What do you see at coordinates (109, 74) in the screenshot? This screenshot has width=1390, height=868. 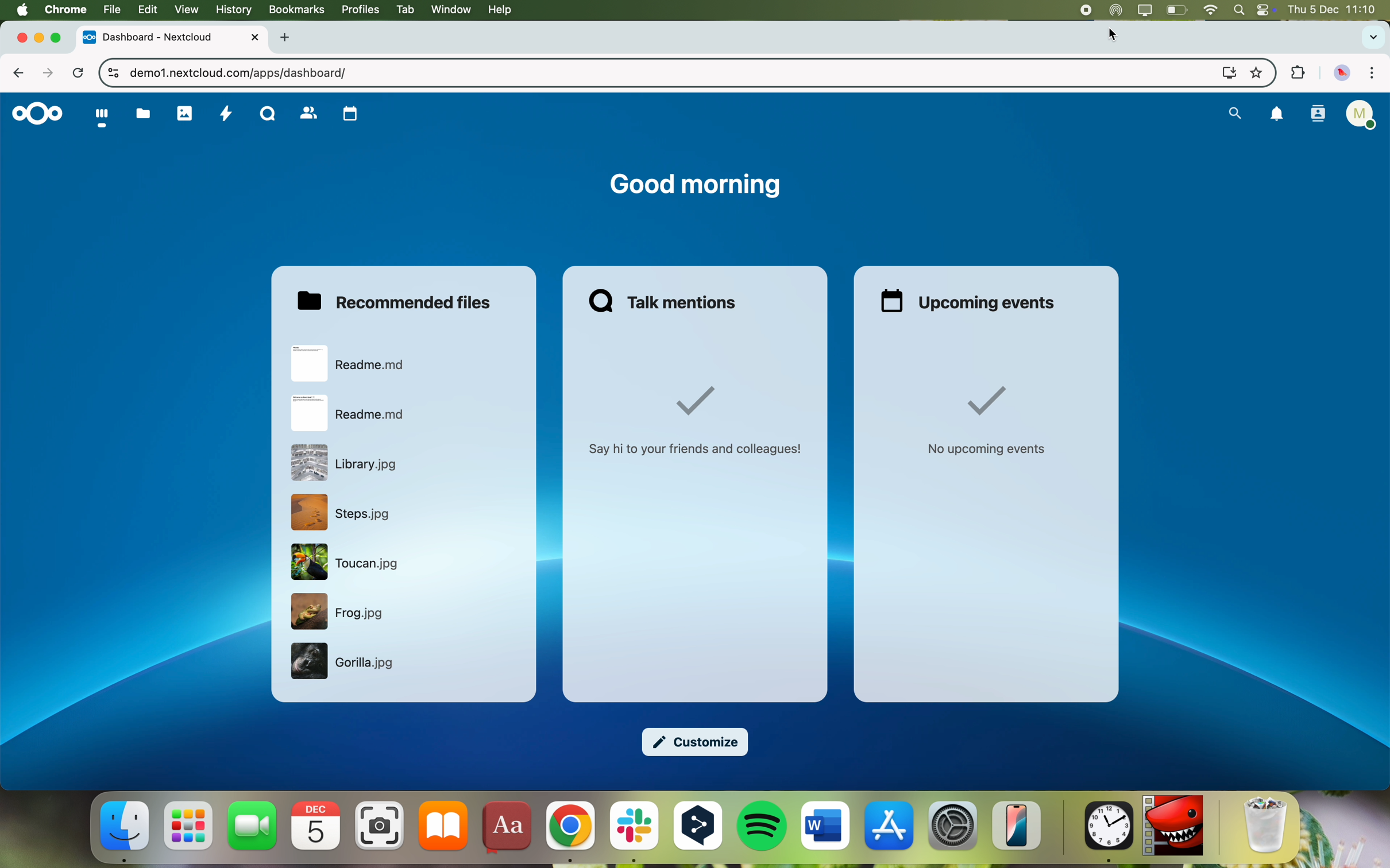 I see `controls` at bounding box center [109, 74].